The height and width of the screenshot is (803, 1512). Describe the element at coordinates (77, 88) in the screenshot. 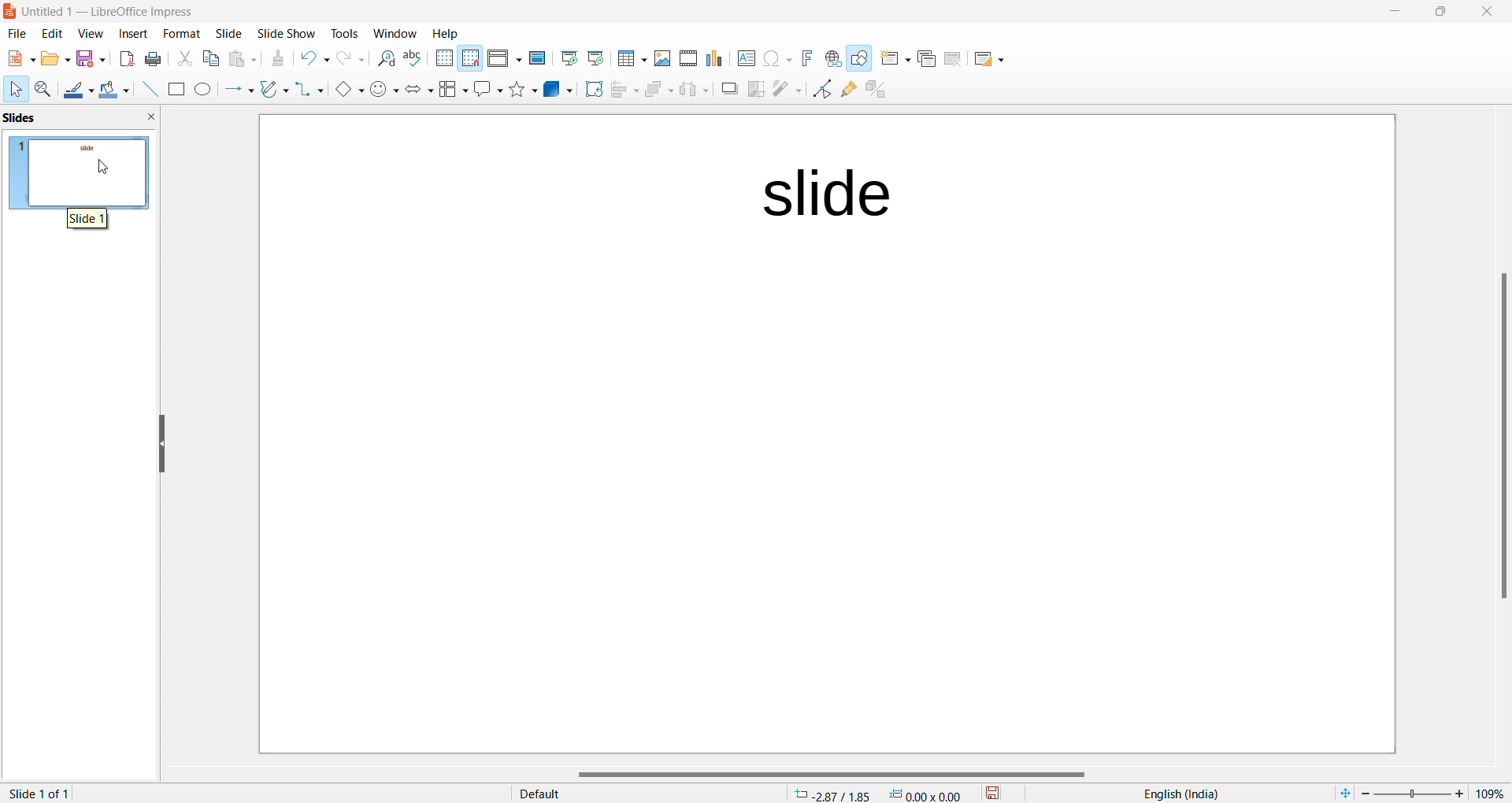

I see `Line color` at that location.